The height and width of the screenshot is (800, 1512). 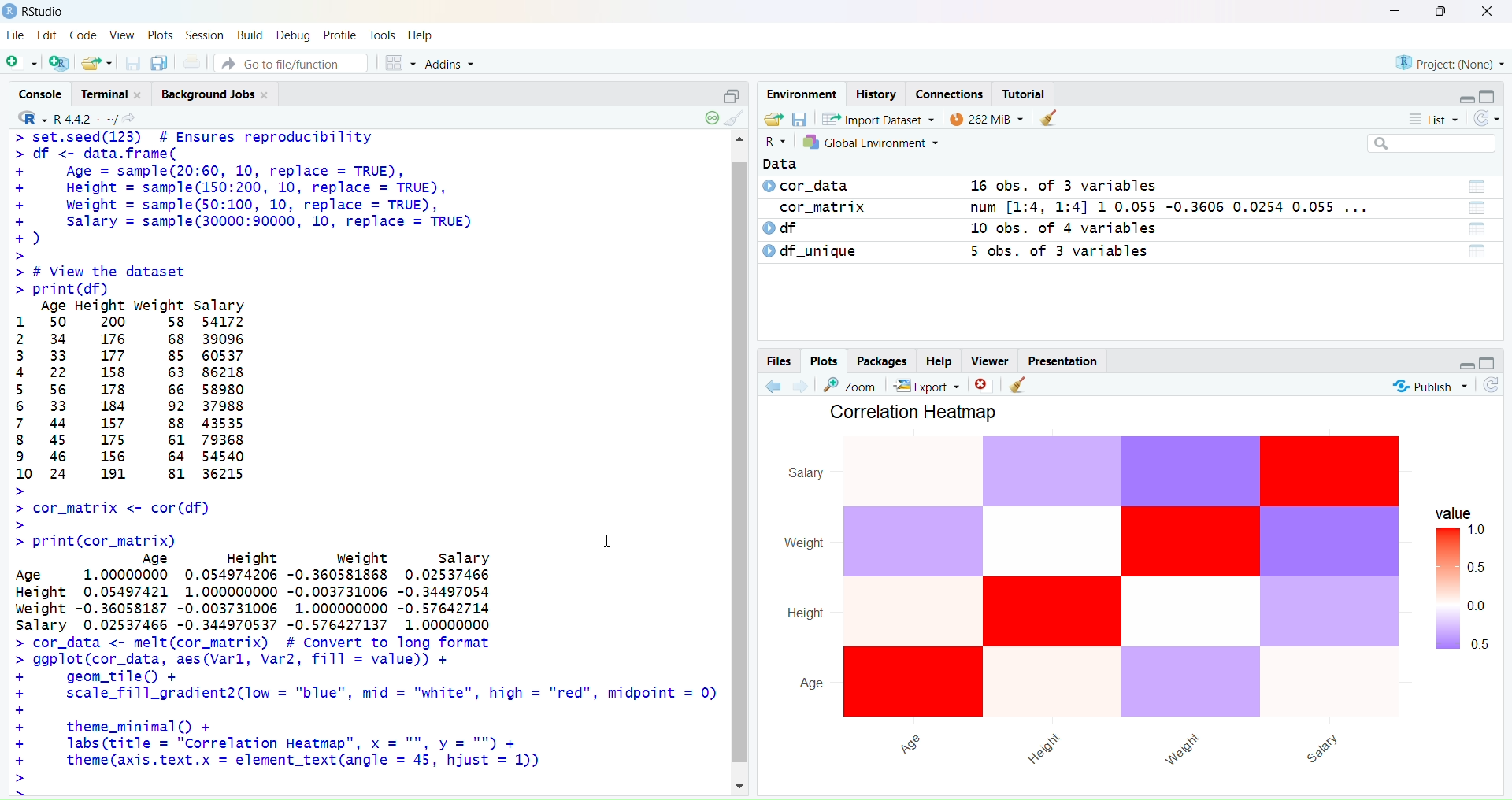 I want to click on Go forward to the next source location (Ctrl + F10), so click(x=802, y=384).